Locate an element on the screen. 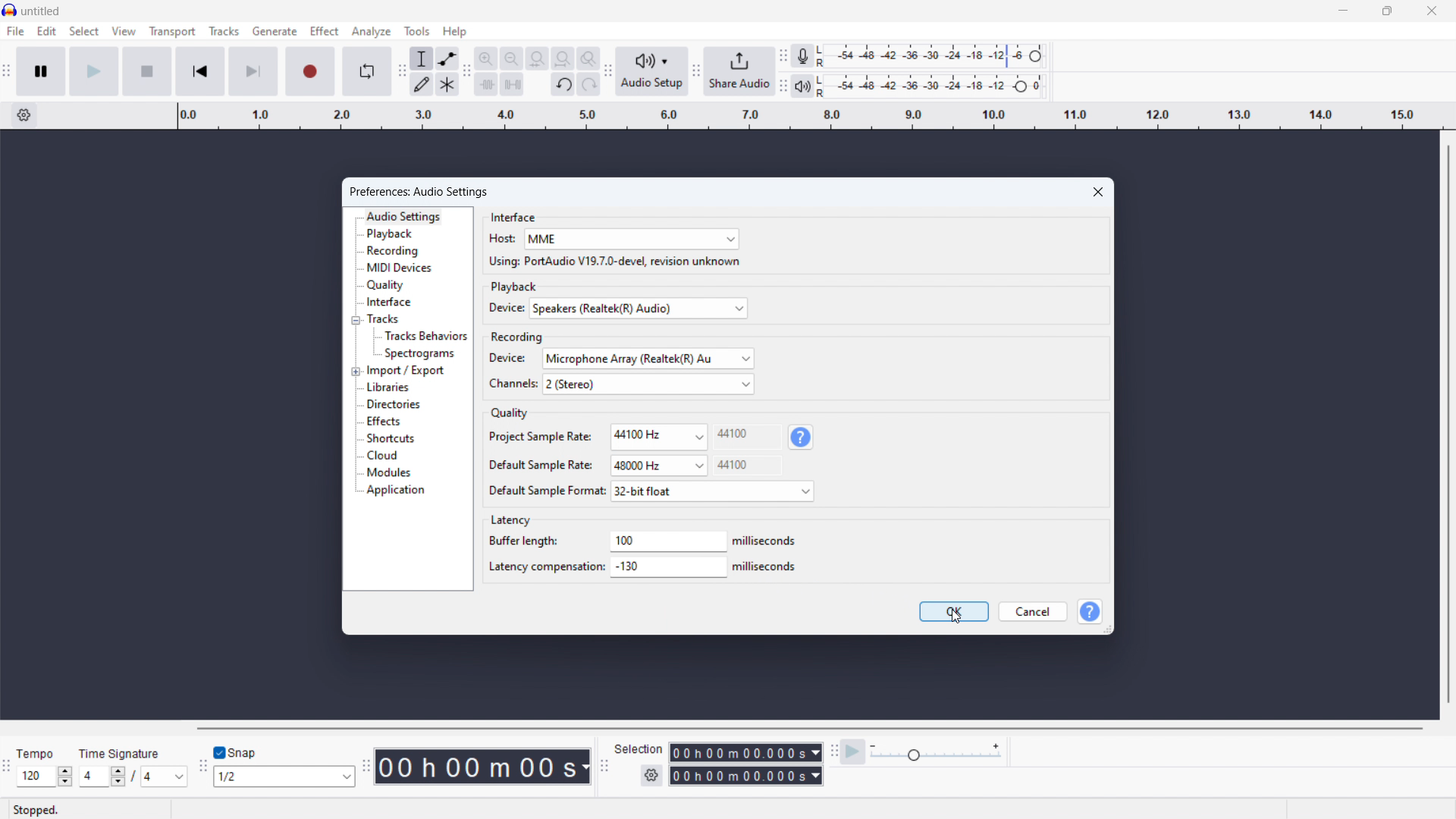 This screenshot has width=1456, height=819. time toolbar is located at coordinates (366, 767).